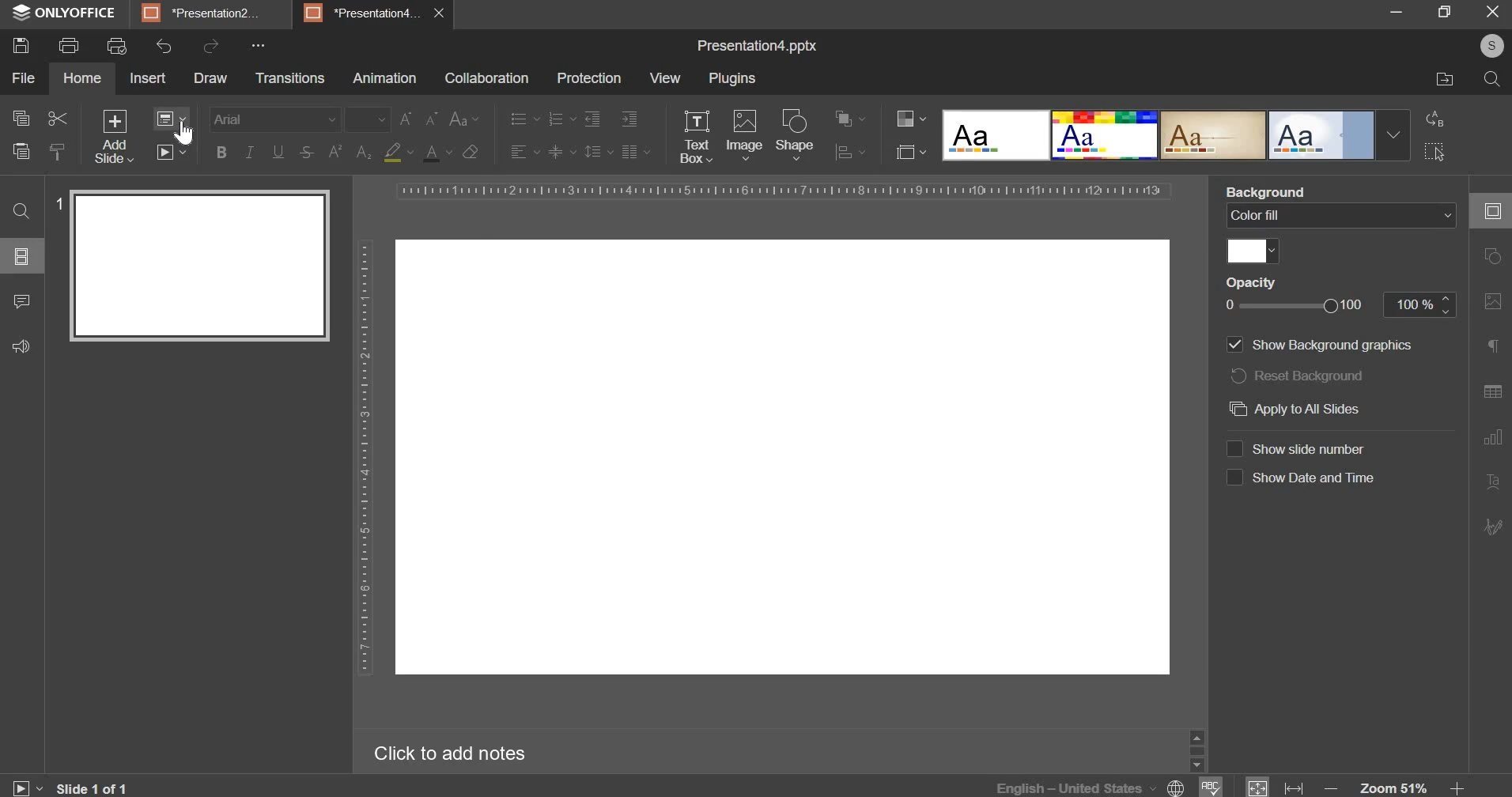 The width and height of the screenshot is (1512, 797). Describe the element at coordinates (58, 149) in the screenshot. I see `copy style` at that location.